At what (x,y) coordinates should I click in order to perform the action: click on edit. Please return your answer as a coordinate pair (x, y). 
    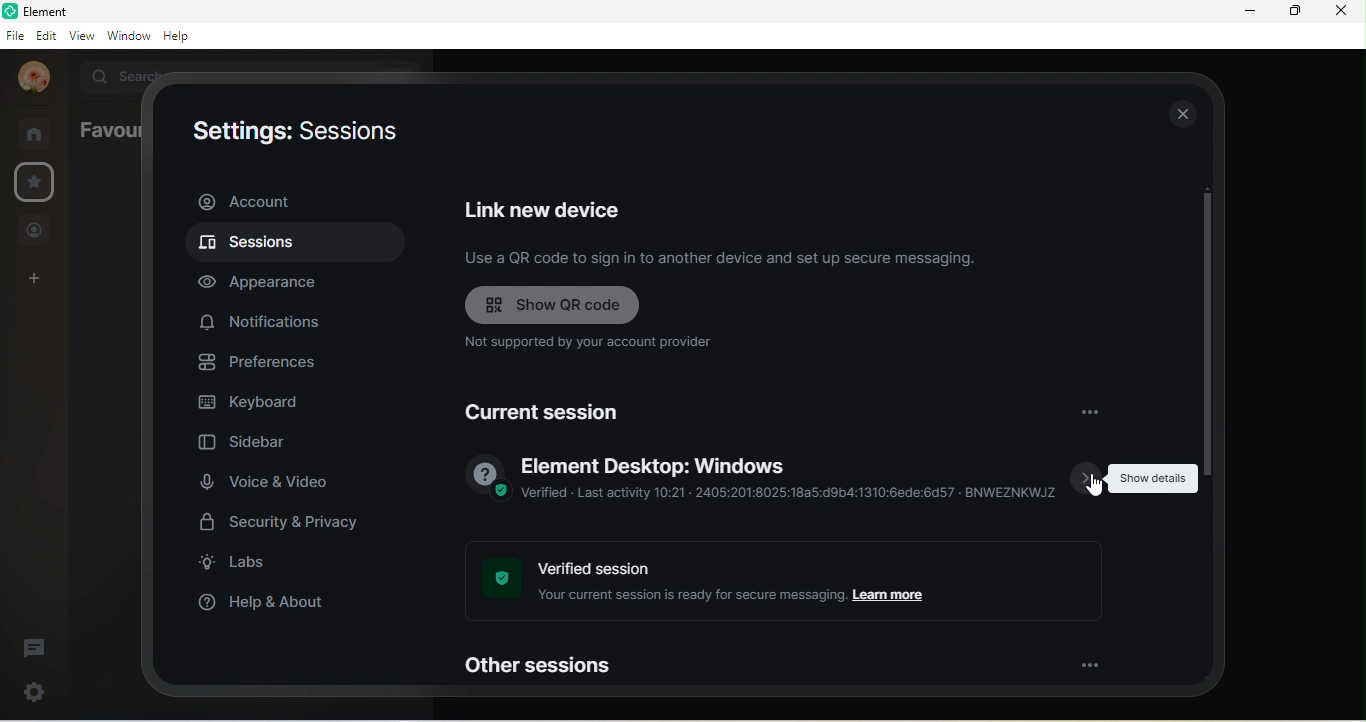
    Looking at the image, I should click on (47, 35).